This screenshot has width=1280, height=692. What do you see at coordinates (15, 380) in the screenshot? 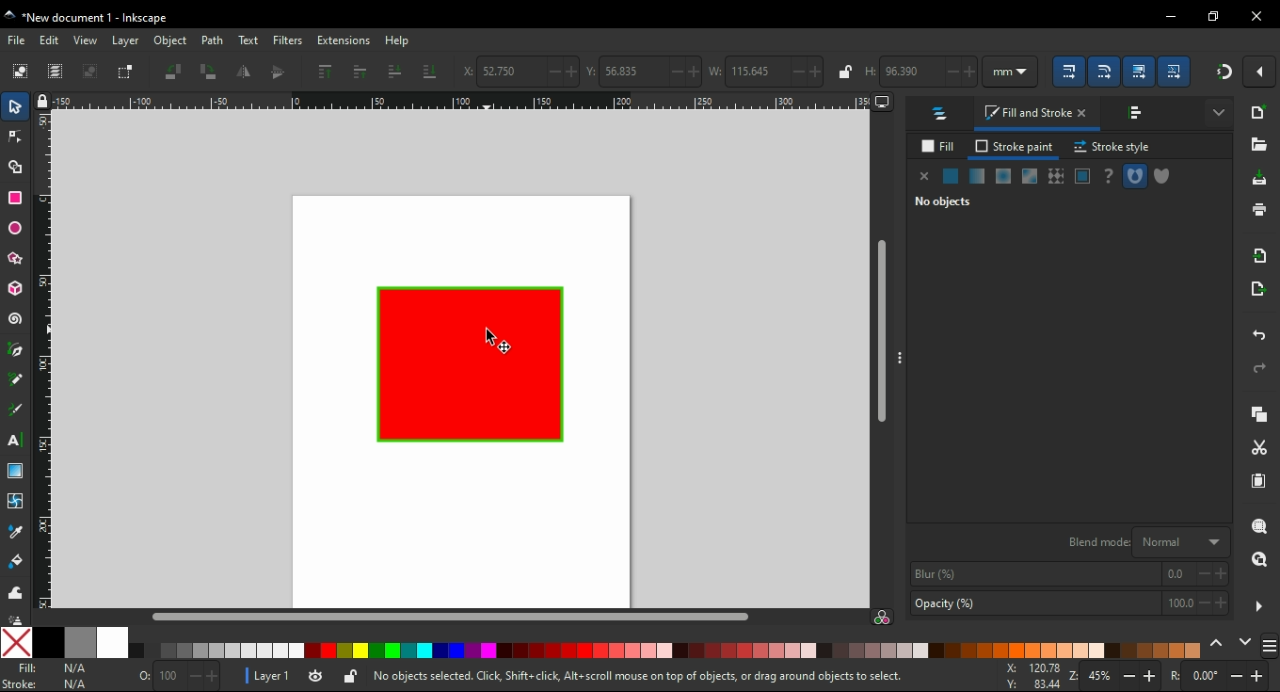
I see `pencil tool` at bounding box center [15, 380].